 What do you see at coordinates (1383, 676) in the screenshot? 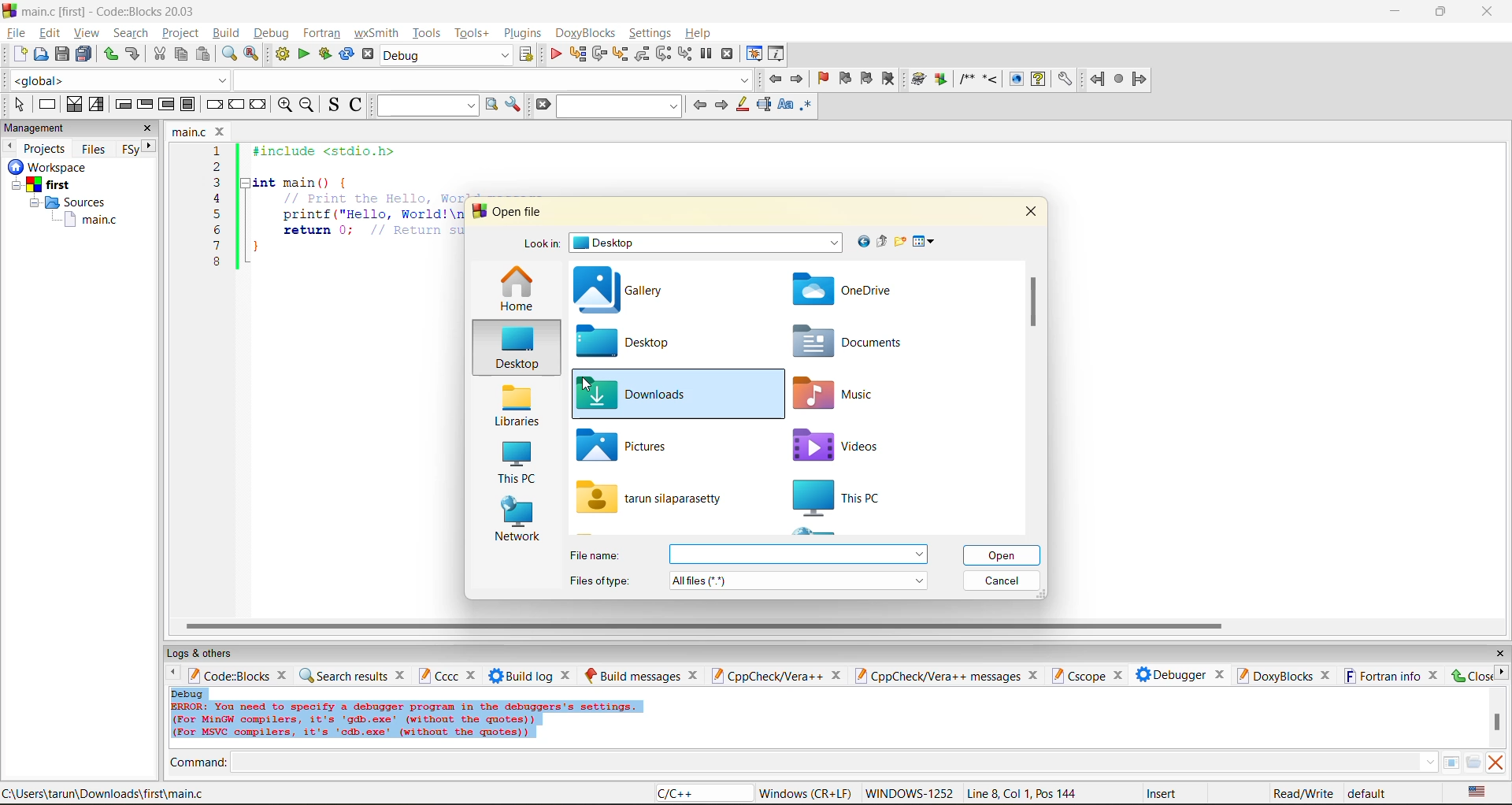
I see `fortran info` at bounding box center [1383, 676].